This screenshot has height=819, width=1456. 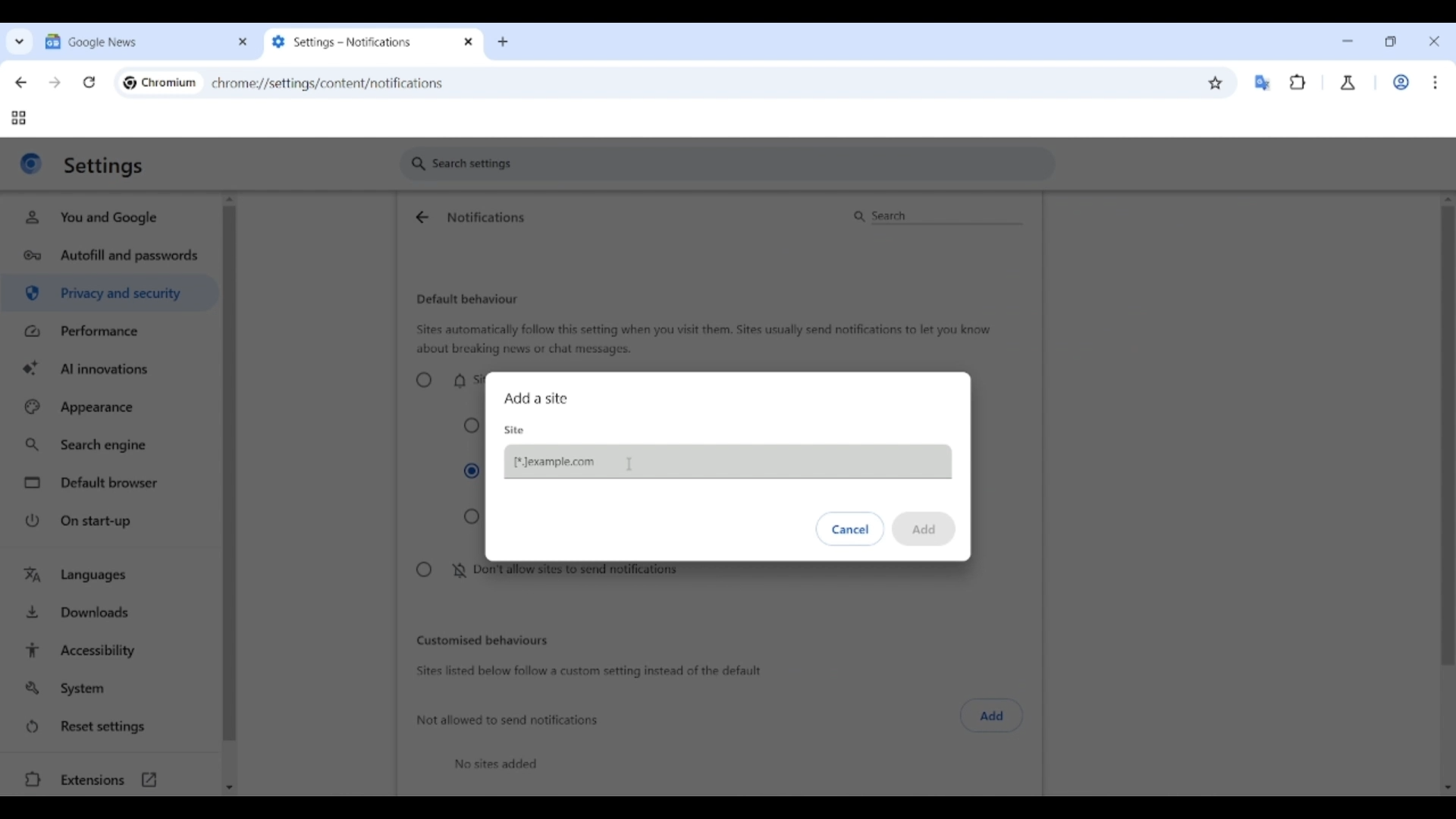 What do you see at coordinates (111, 445) in the screenshot?
I see `Search engine` at bounding box center [111, 445].